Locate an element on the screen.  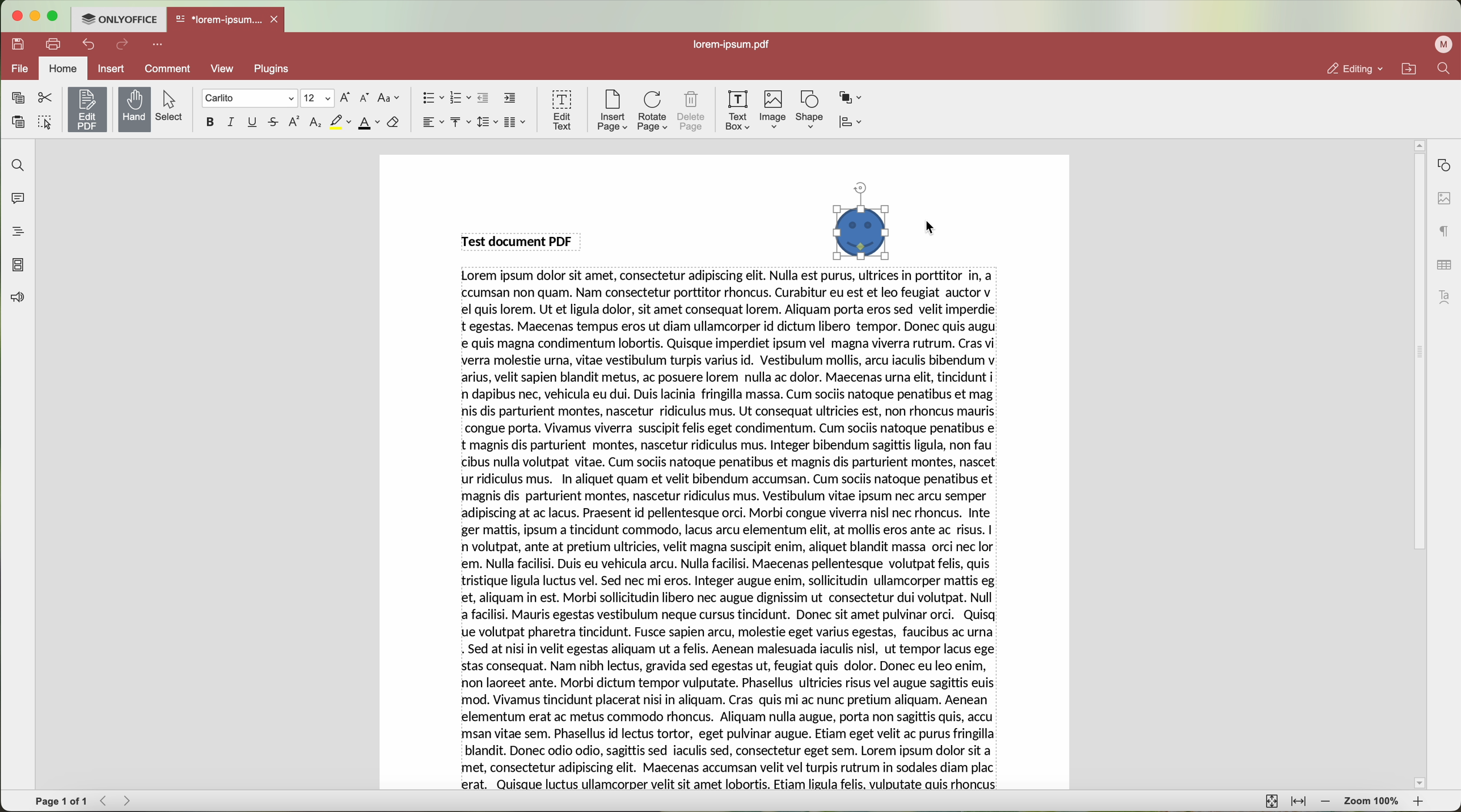
edit PDF is located at coordinates (90, 107).